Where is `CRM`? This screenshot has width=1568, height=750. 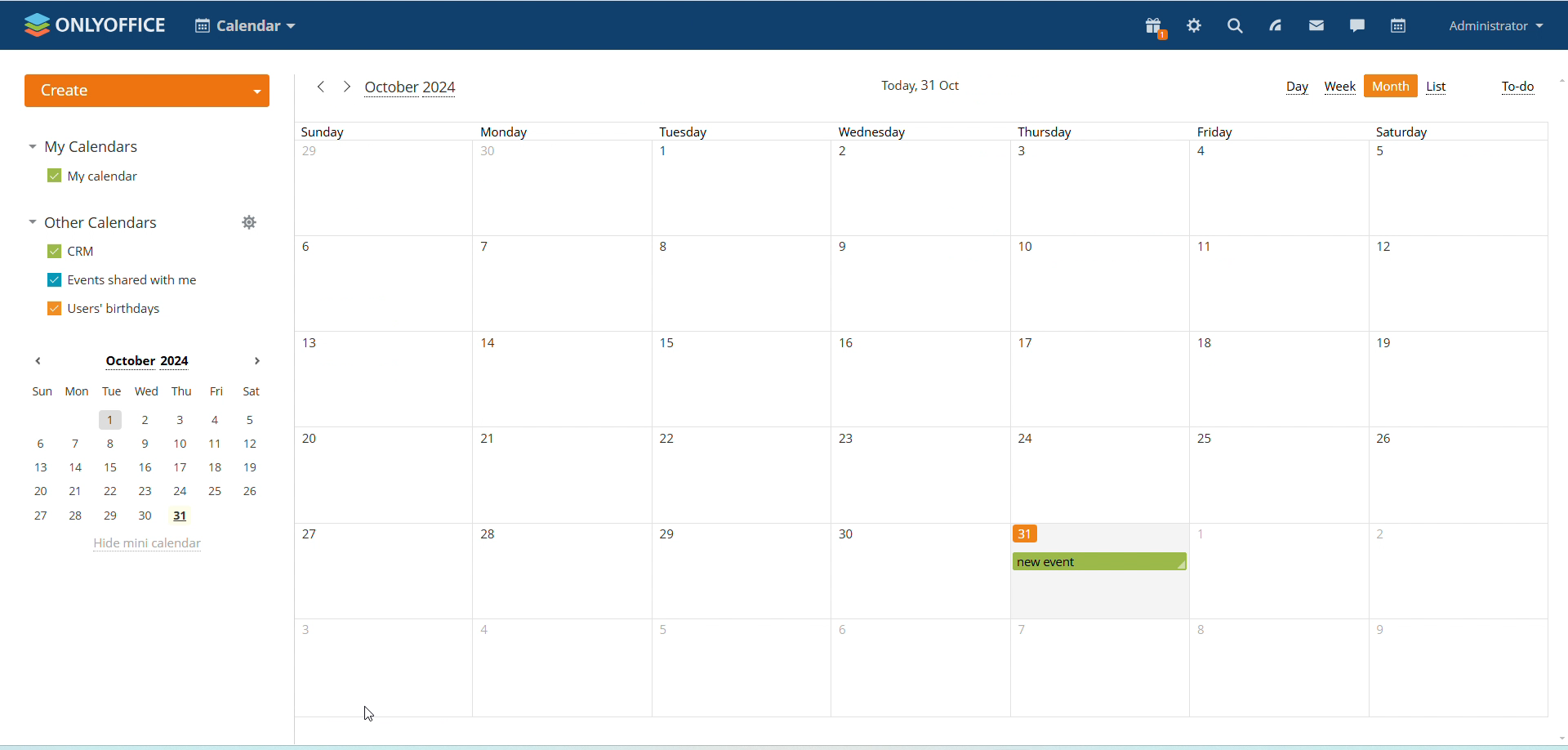
CRM is located at coordinates (73, 252).